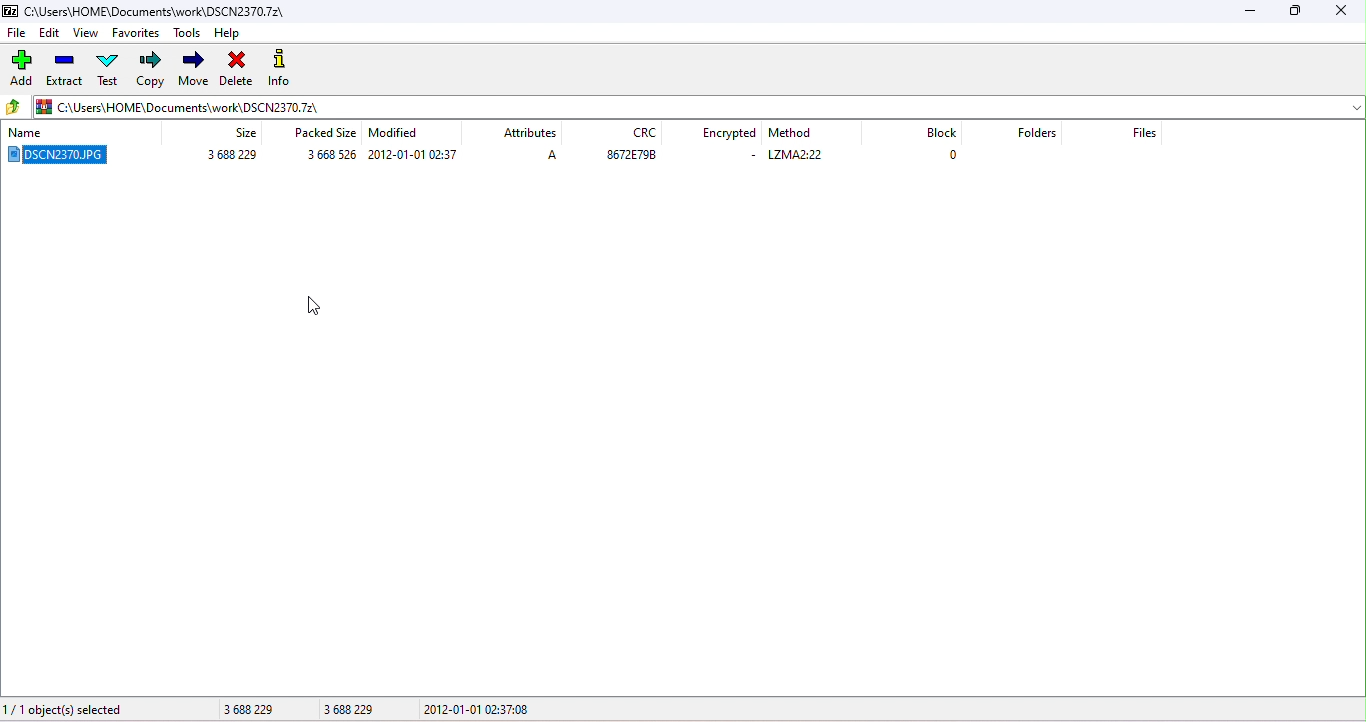 This screenshot has width=1366, height=722. Describe the element at coordinates (400, 130) in the screenshot. I see `modification date` at that location.